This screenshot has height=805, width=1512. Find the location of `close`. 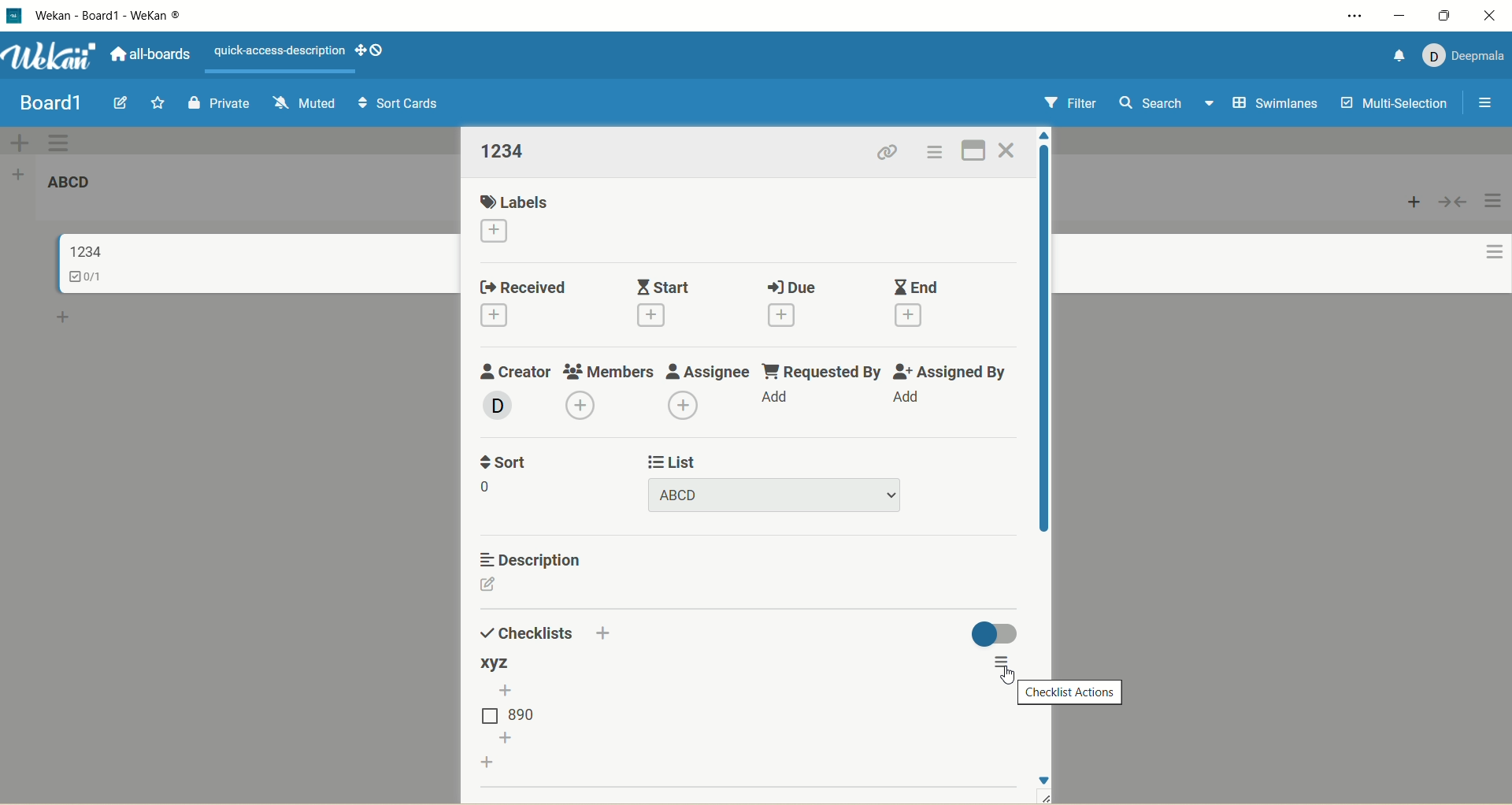

close is located at coordinates (1495, 16).